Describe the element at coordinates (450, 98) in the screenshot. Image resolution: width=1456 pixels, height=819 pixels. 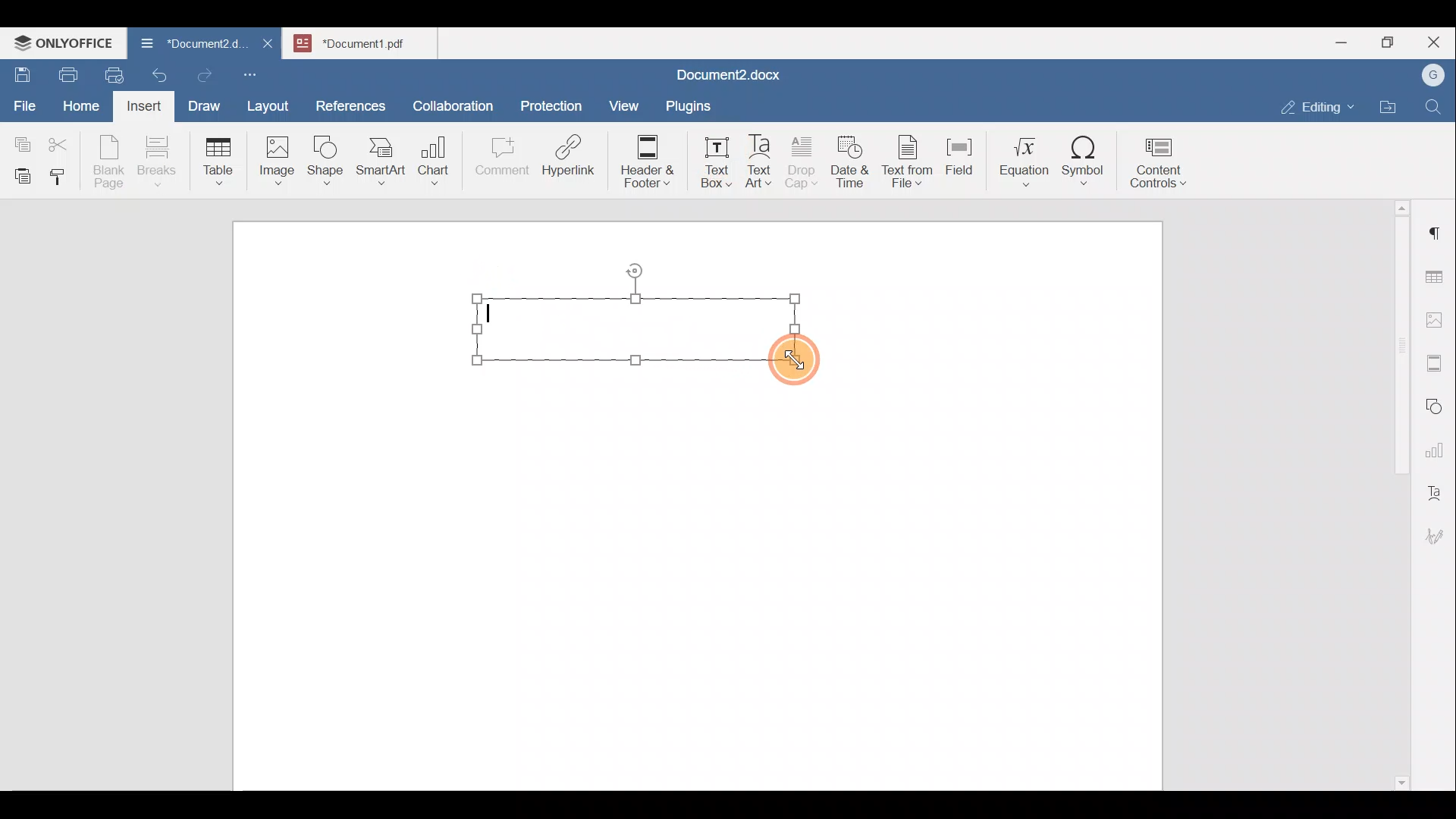
I see `Collaboration` at that location.